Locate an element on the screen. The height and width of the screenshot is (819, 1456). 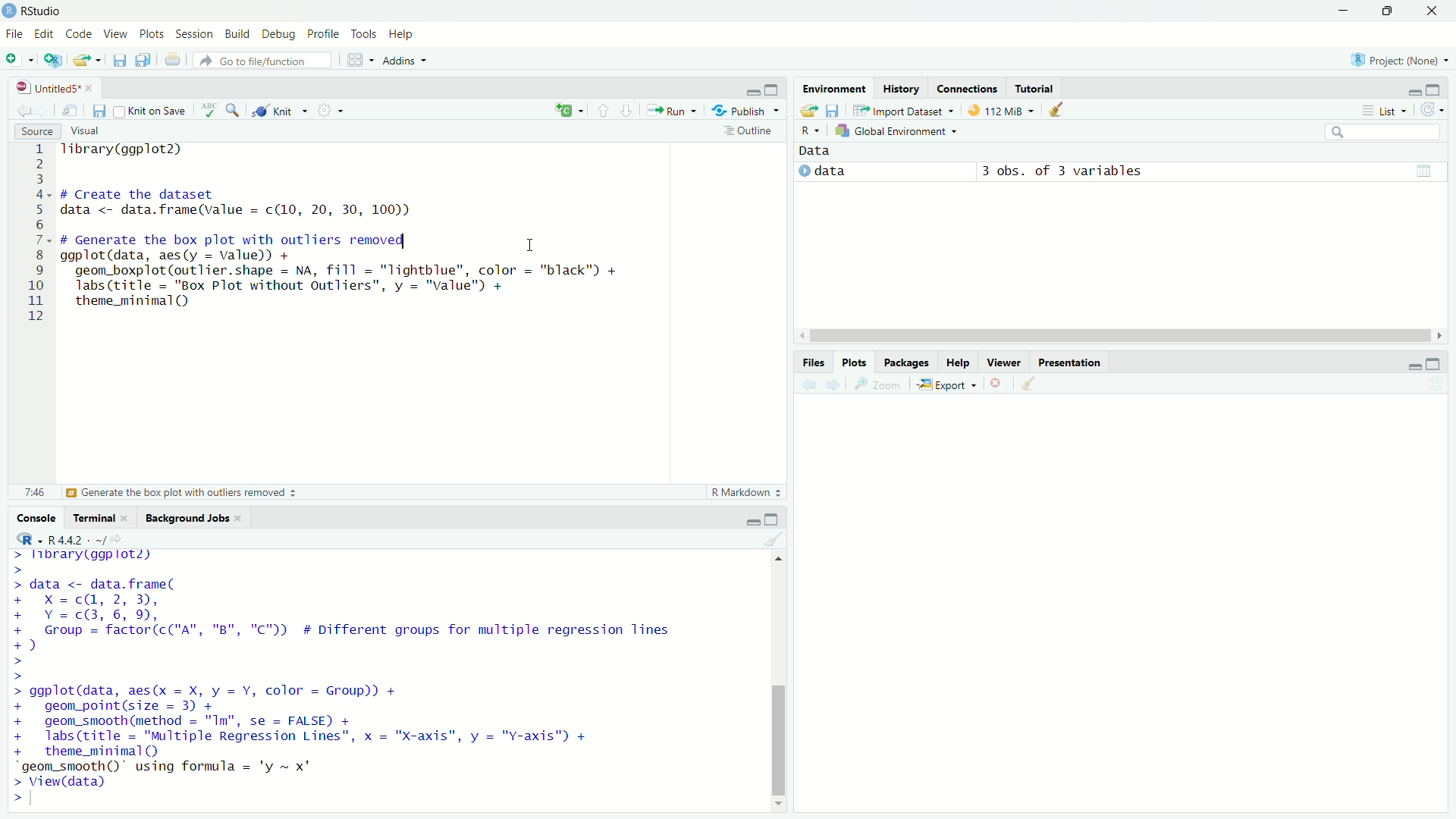
maximise is located at coordinates (1432, 91).